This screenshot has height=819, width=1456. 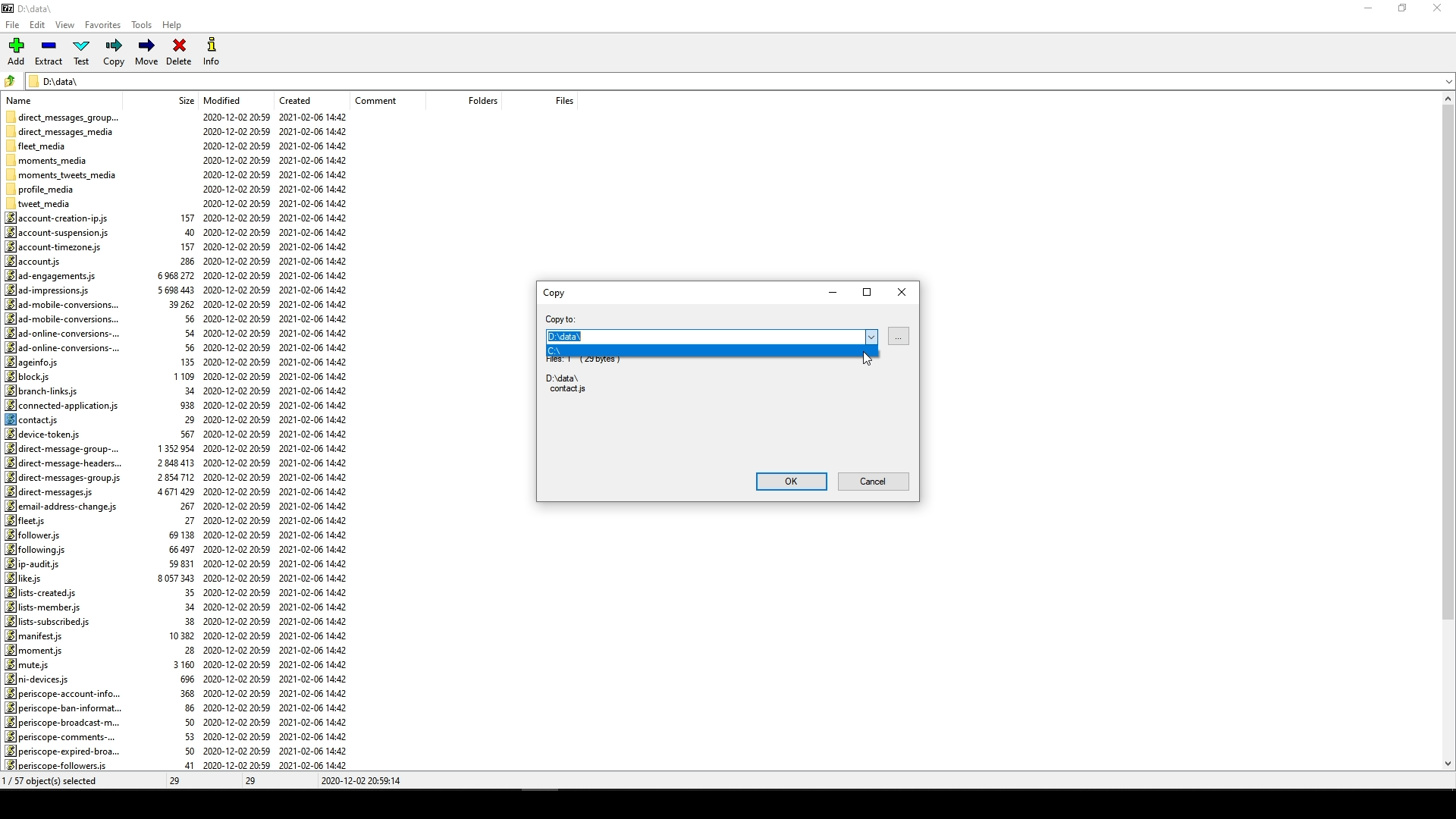 What do you see at coordinates (254, 782) in the screenshot?
I see `29` at bounding box center [254, 782].